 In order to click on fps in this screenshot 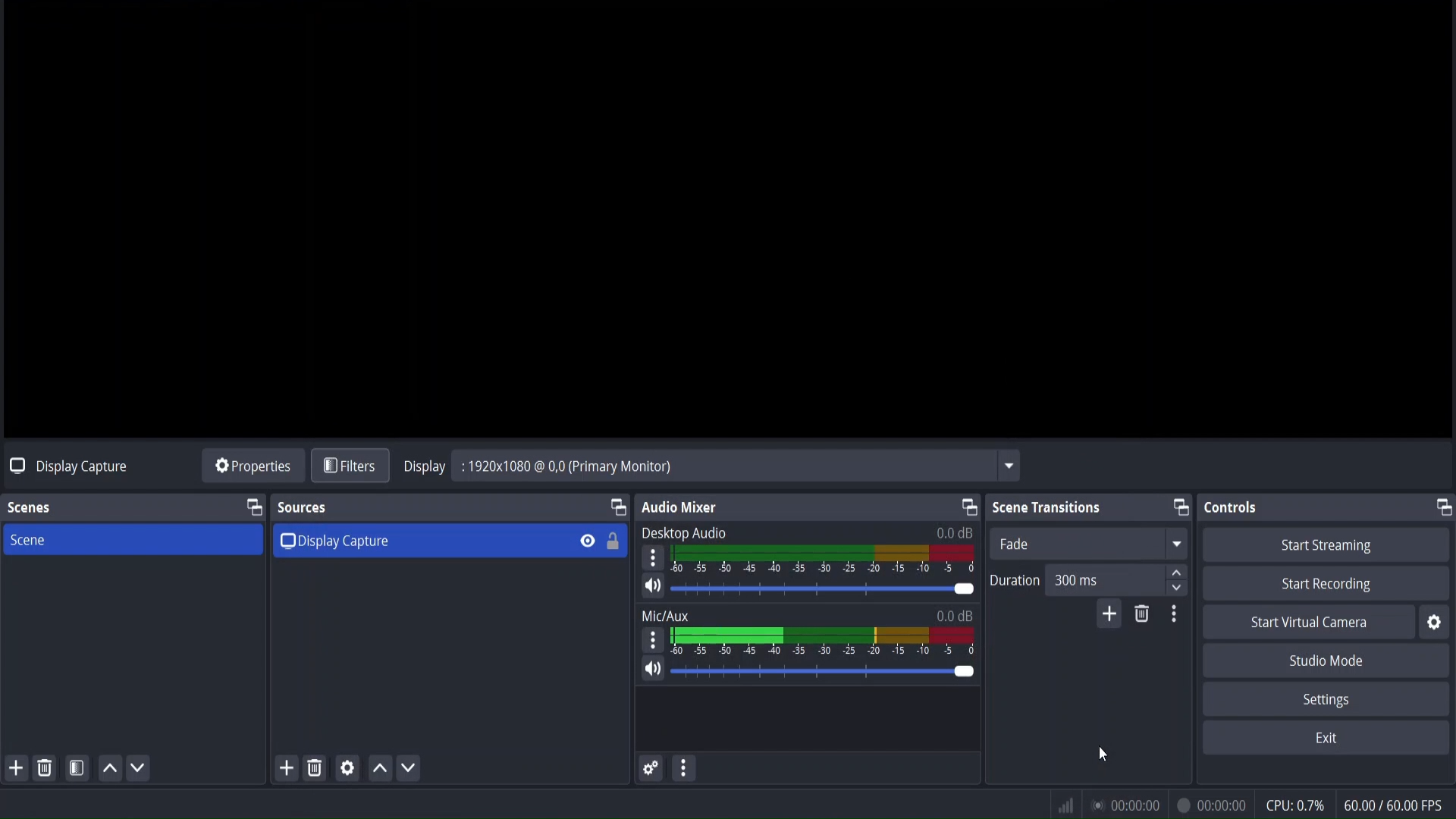, I will do `click(1395, 805)`.